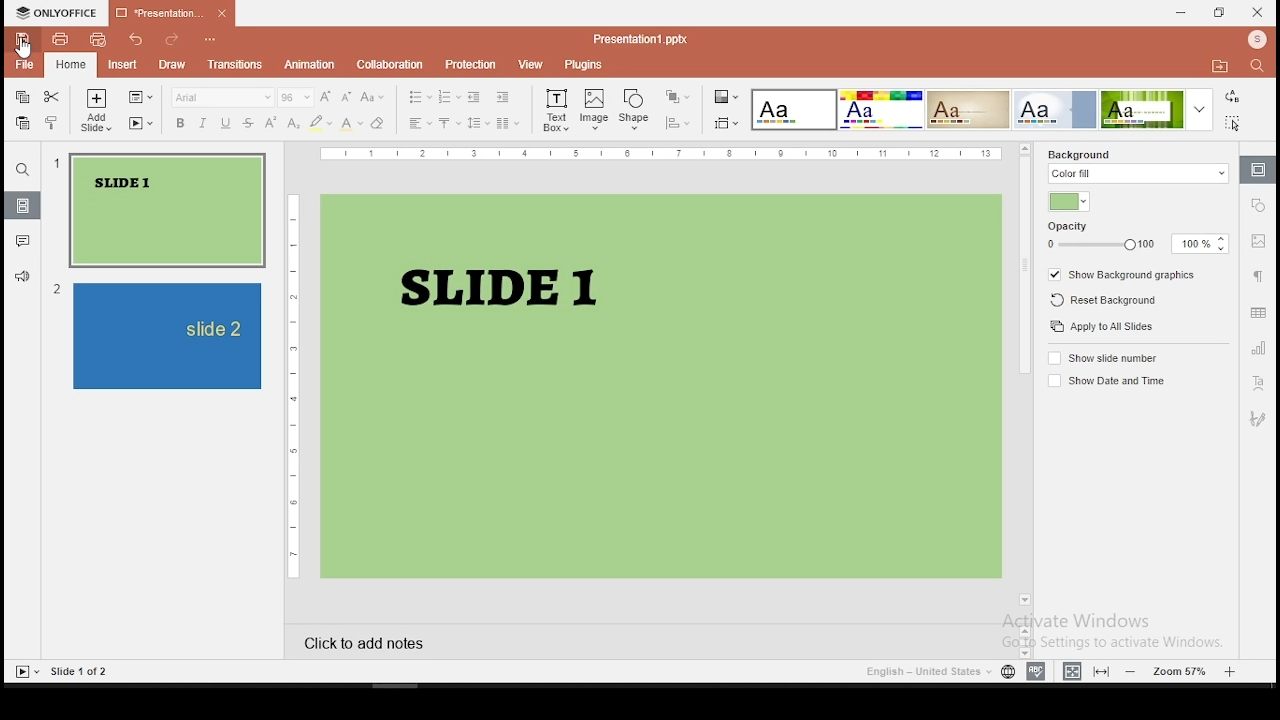 The image size is (1280, 720). What do you see at coordinates (172, 63) in the screenshot?
I see `draw` at bounding box center [172, 63].